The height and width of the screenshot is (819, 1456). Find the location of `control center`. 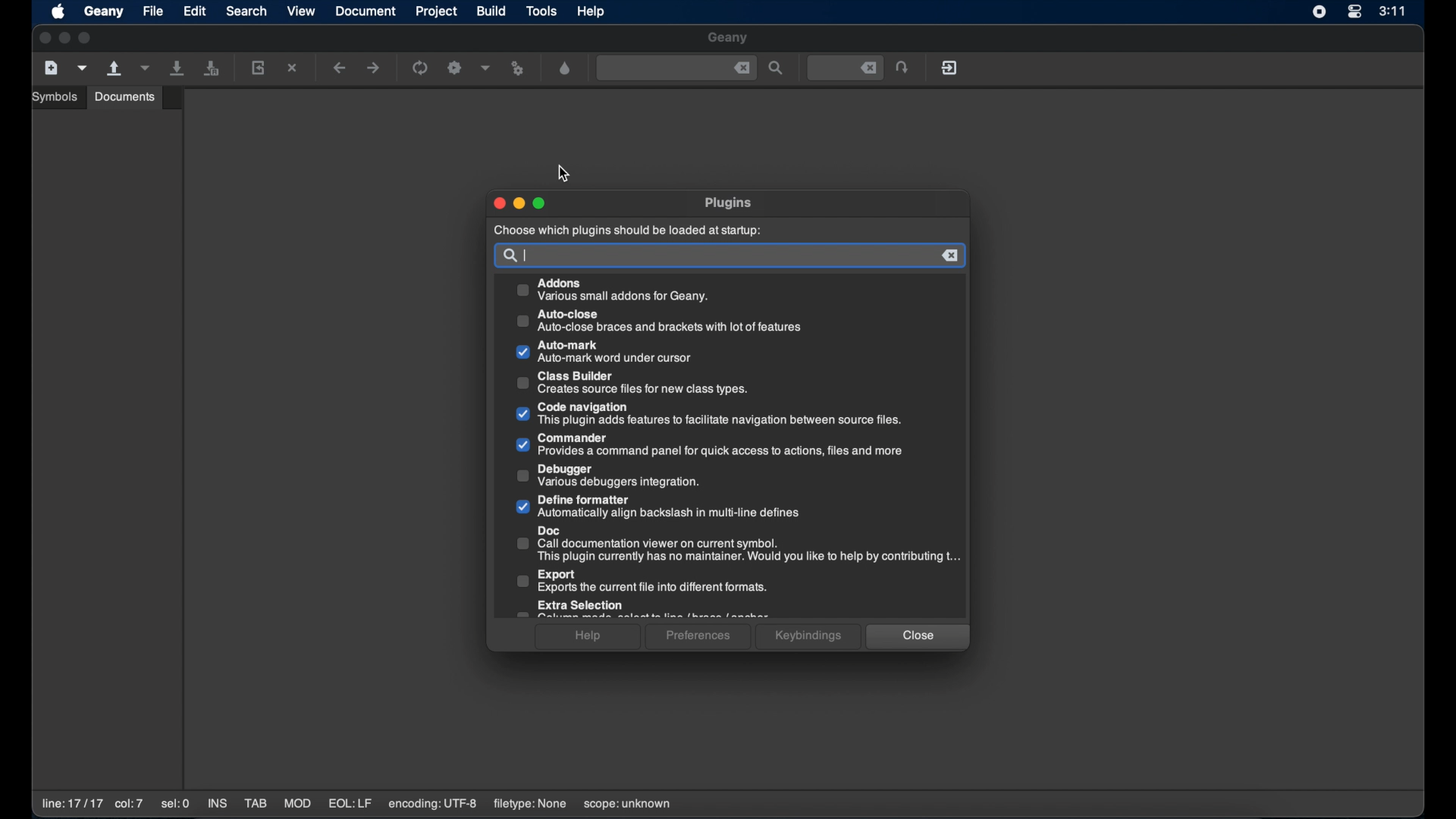

control center is located at coordinates (1354, 13).